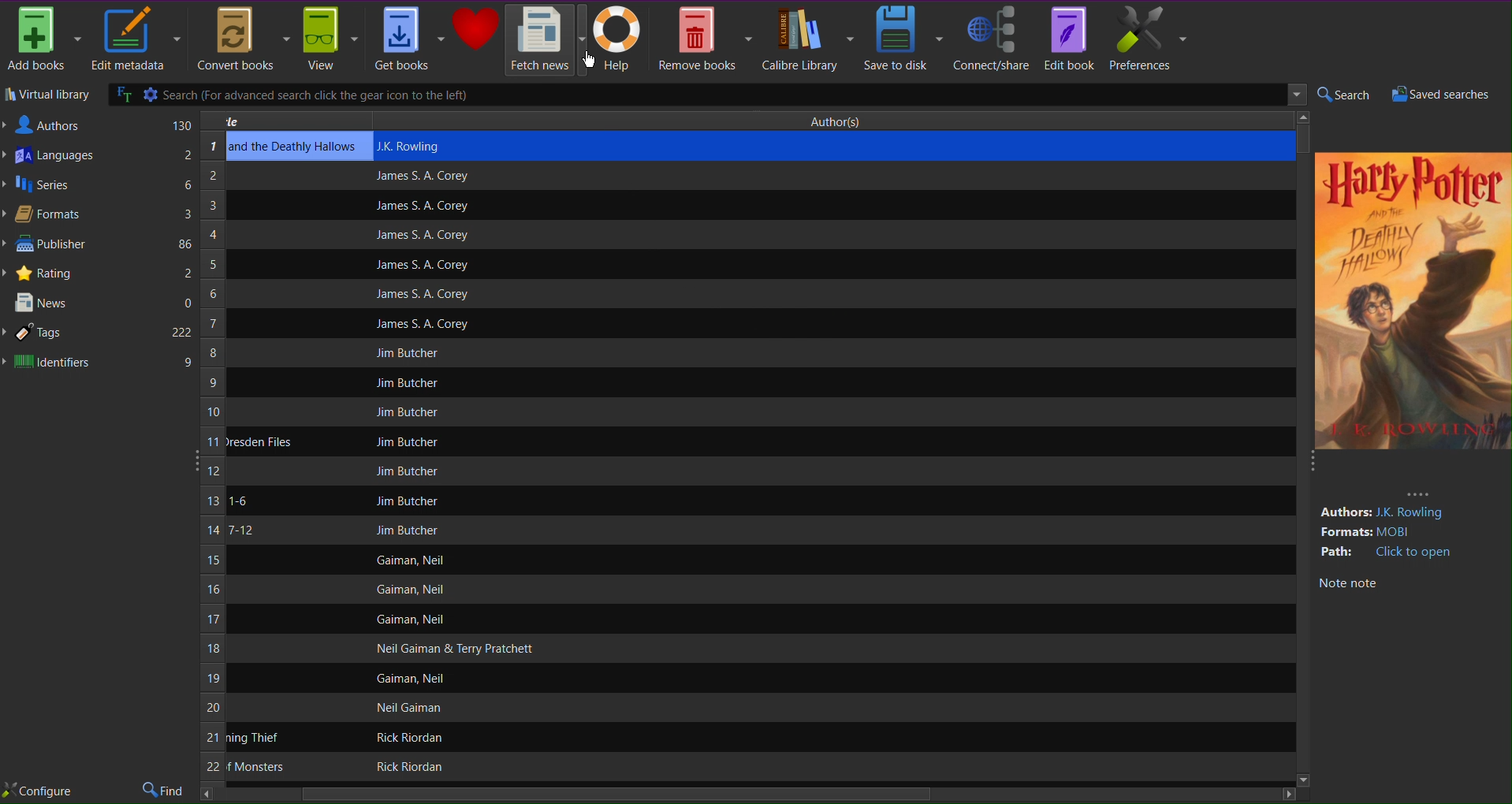  Describe the element at coordinates (452, 649) in the screenshot. I see `Neil Gaiman & Terry Pratchet` at that location.